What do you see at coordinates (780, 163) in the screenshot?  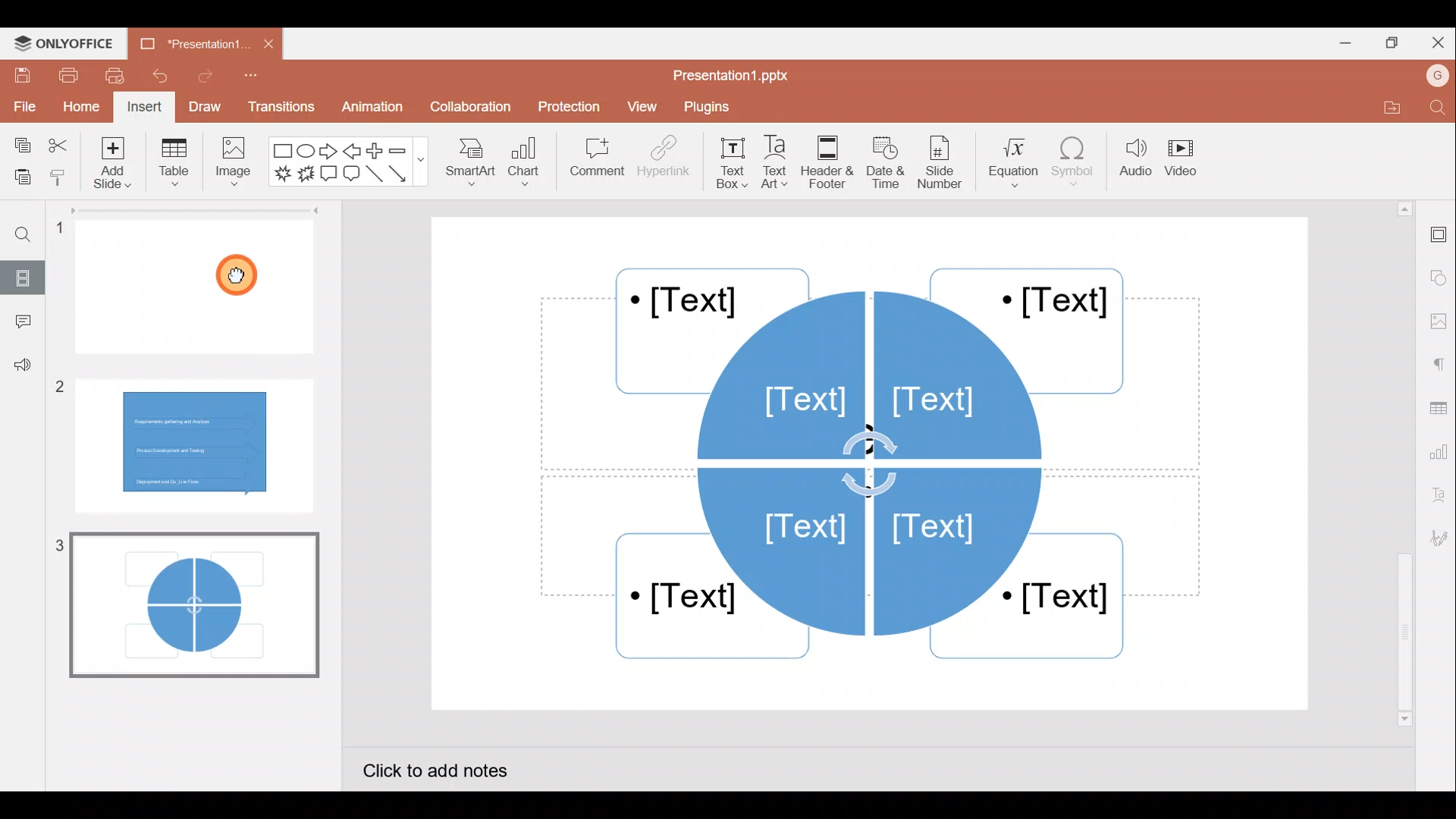 I see `Text Art` at bounding box center [780, 163].